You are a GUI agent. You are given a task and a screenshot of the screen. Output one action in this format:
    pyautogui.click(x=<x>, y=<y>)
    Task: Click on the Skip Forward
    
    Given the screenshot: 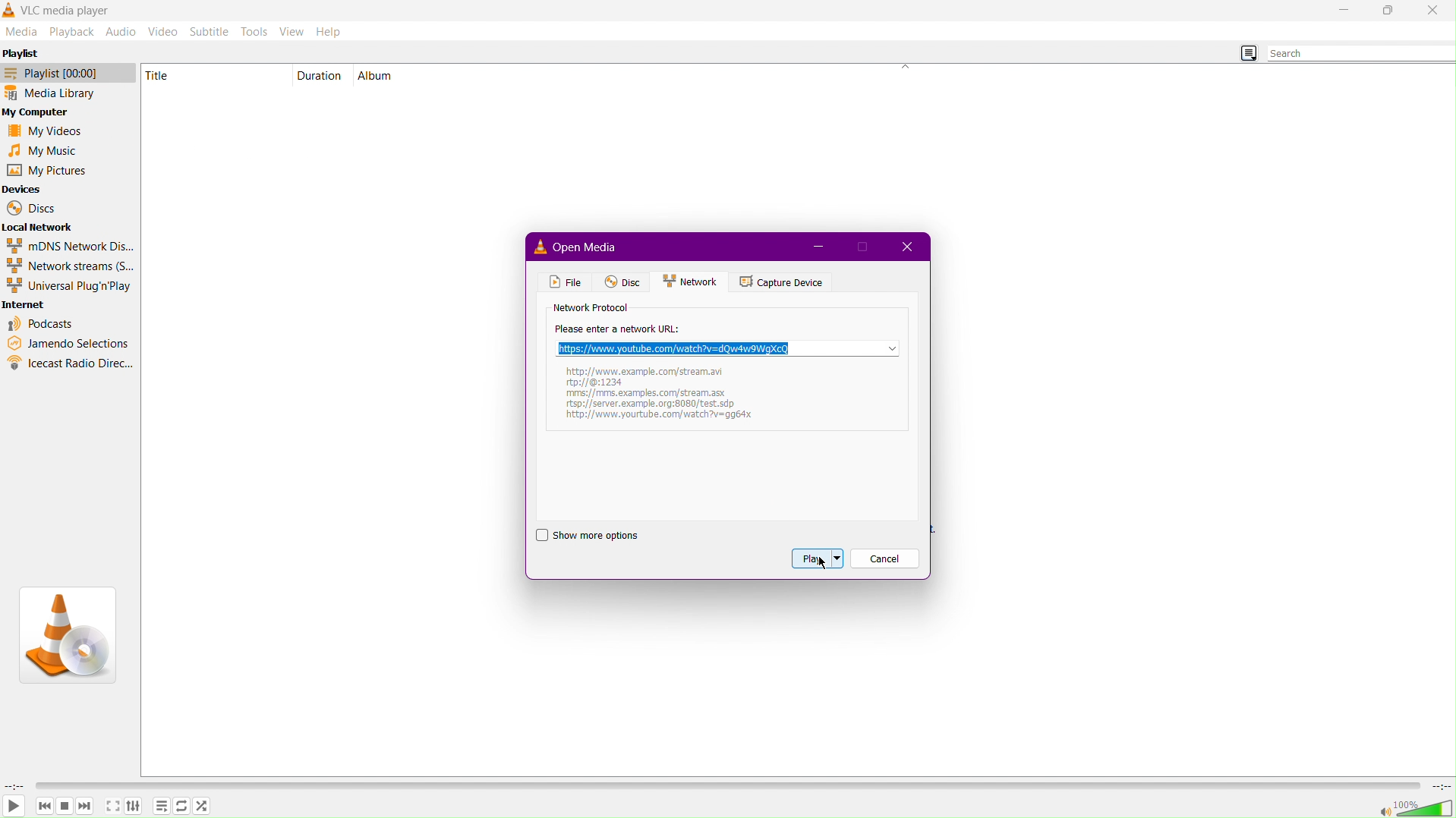 What is the action you would take?
    pyautogui.click(x=88, y=809)
    